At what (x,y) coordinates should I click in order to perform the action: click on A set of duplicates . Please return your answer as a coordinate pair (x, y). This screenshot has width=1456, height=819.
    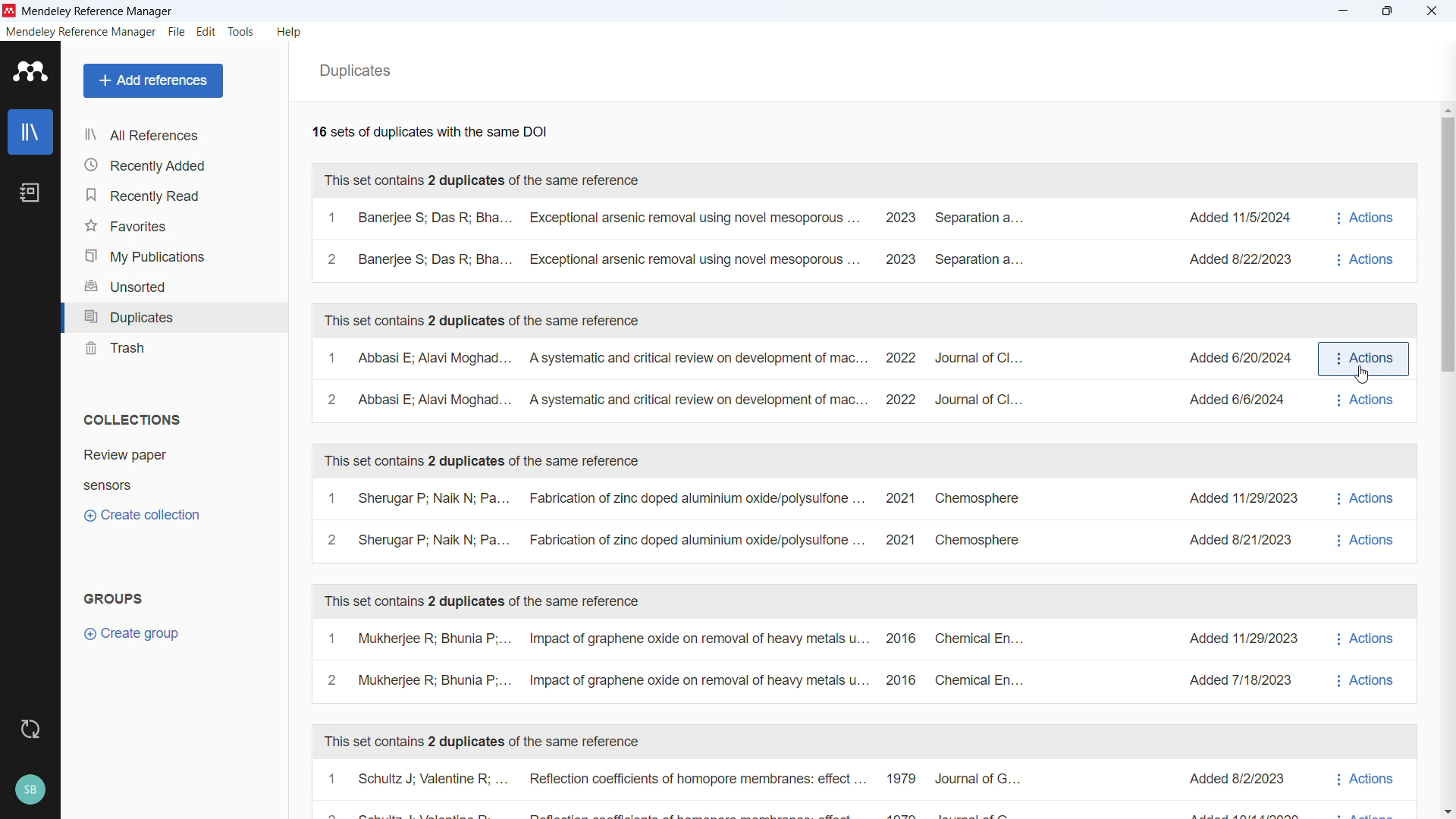
    Looking at the image, I should click on (811, 380).